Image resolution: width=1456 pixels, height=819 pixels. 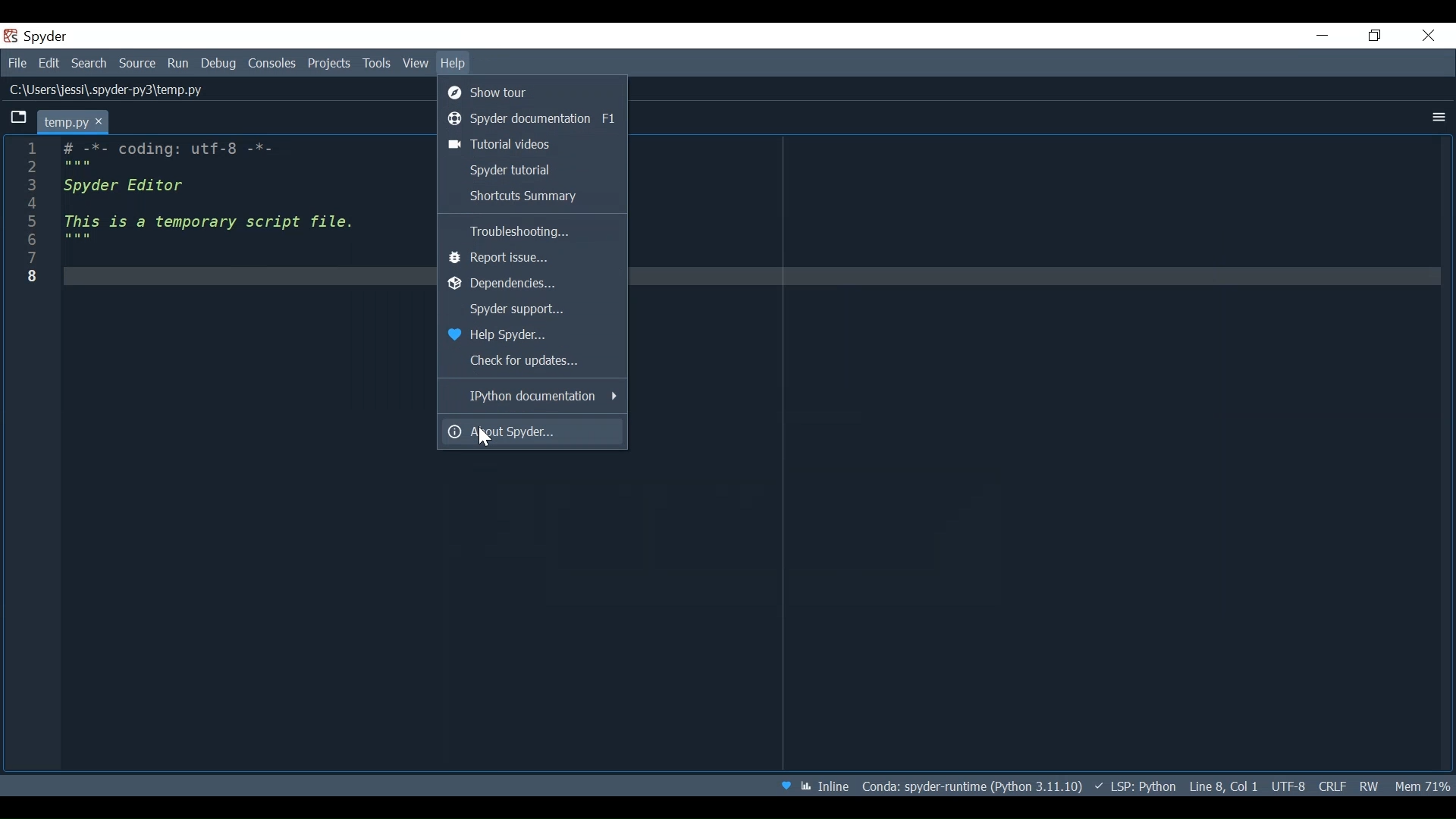 What do you see at coordinates (976, 786) in the screenshot?
I see `Conda Environment Indicator` at bounding box center [976, 786].